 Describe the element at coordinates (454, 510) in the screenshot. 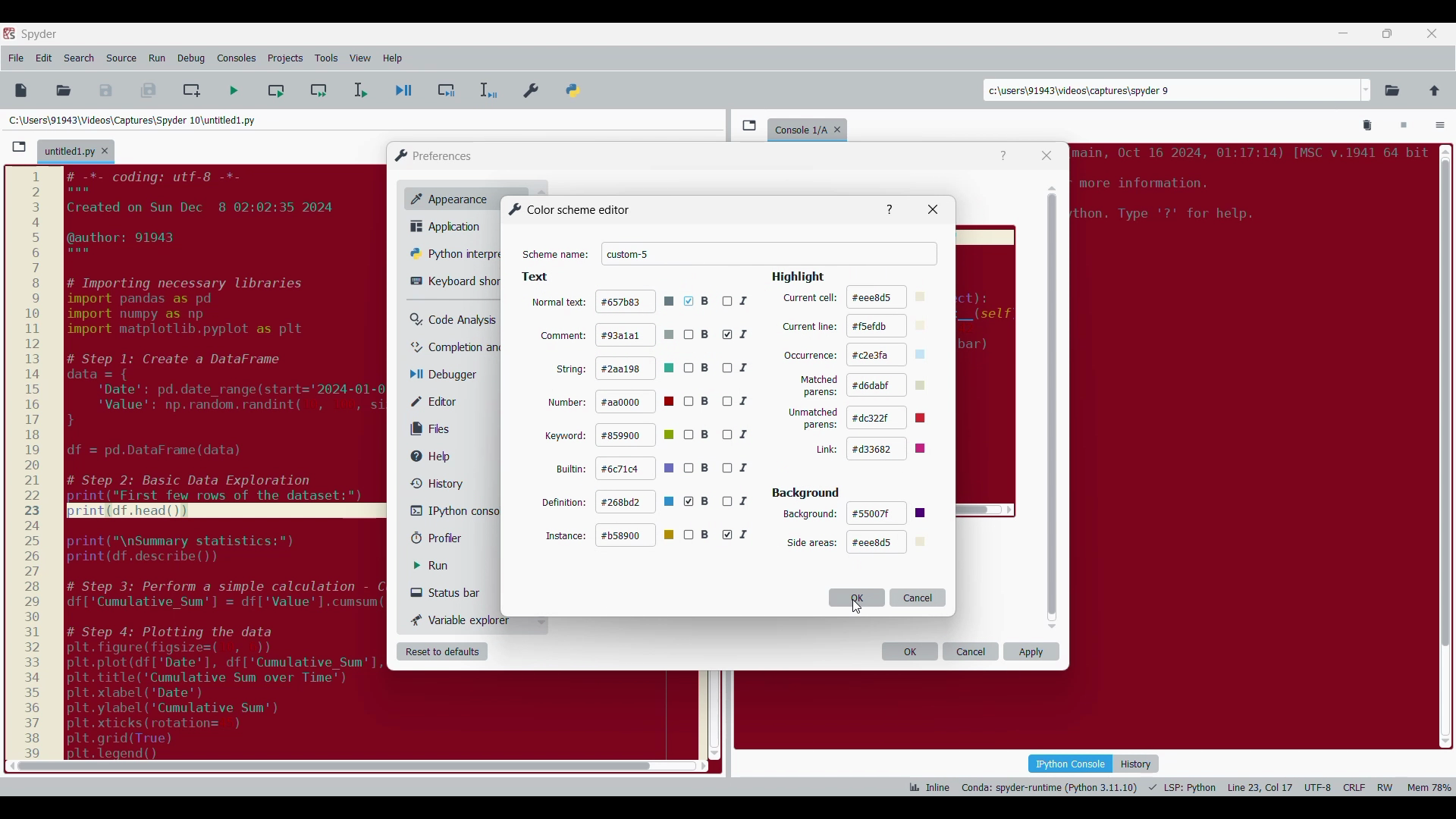

I see `IPython console` at that location.